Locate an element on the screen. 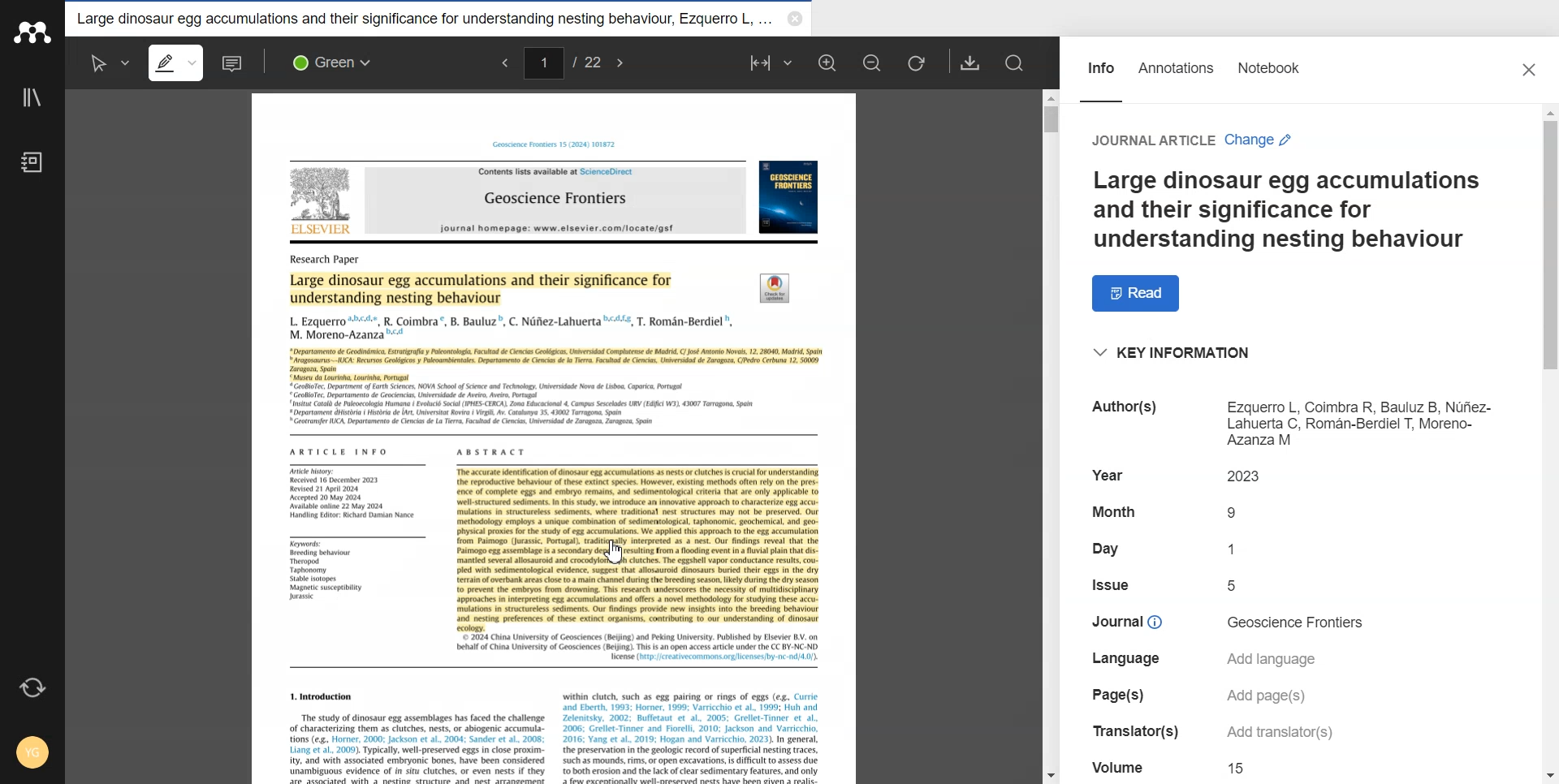 The height and width of the screenshot is (784, 1559). Notebook is located at coordinates (32, 162).